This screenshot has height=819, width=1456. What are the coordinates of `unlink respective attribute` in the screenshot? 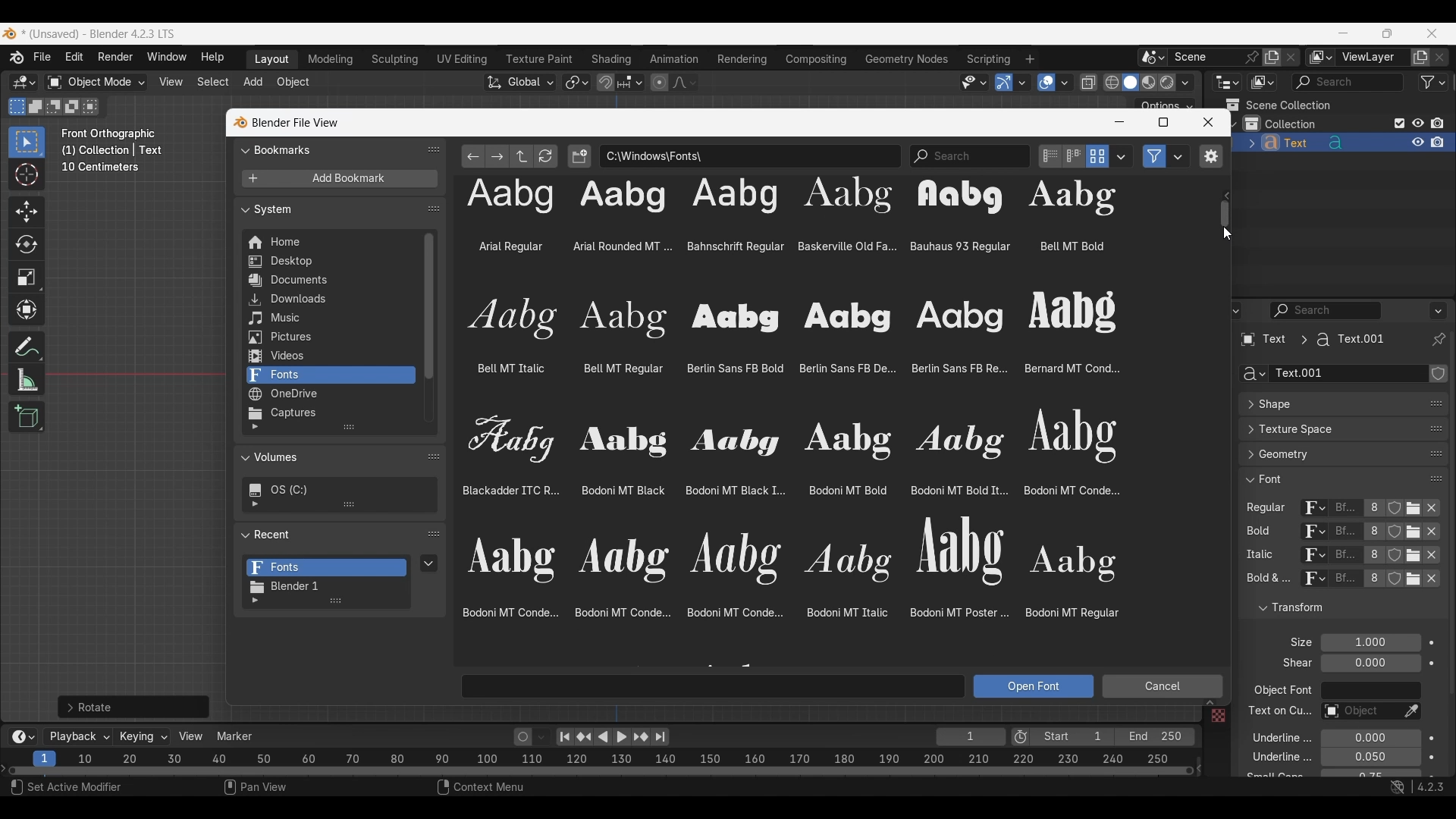 It's located at (1424, 582).